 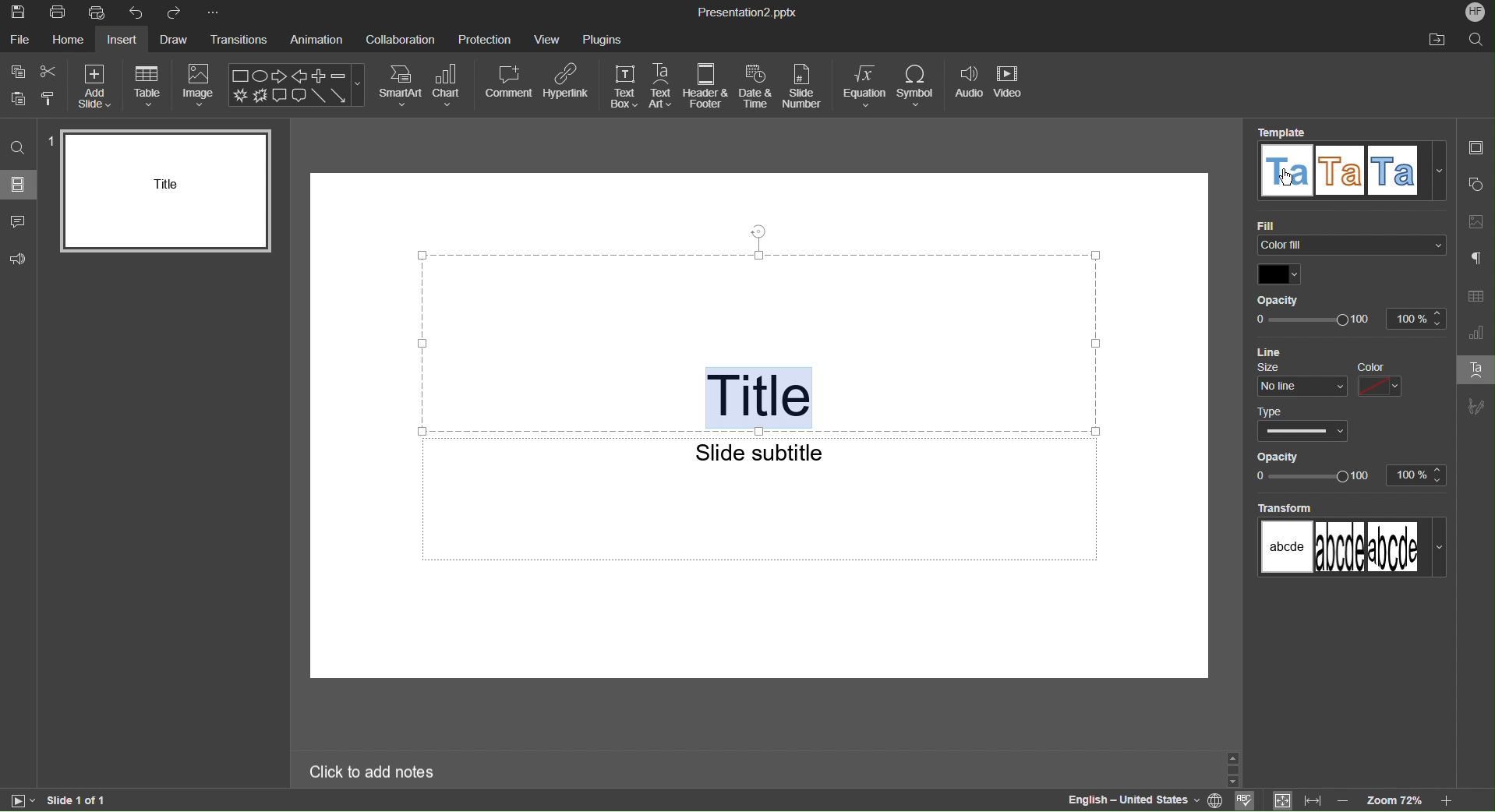 I want to click on Type, so click(x=1299, y=421).